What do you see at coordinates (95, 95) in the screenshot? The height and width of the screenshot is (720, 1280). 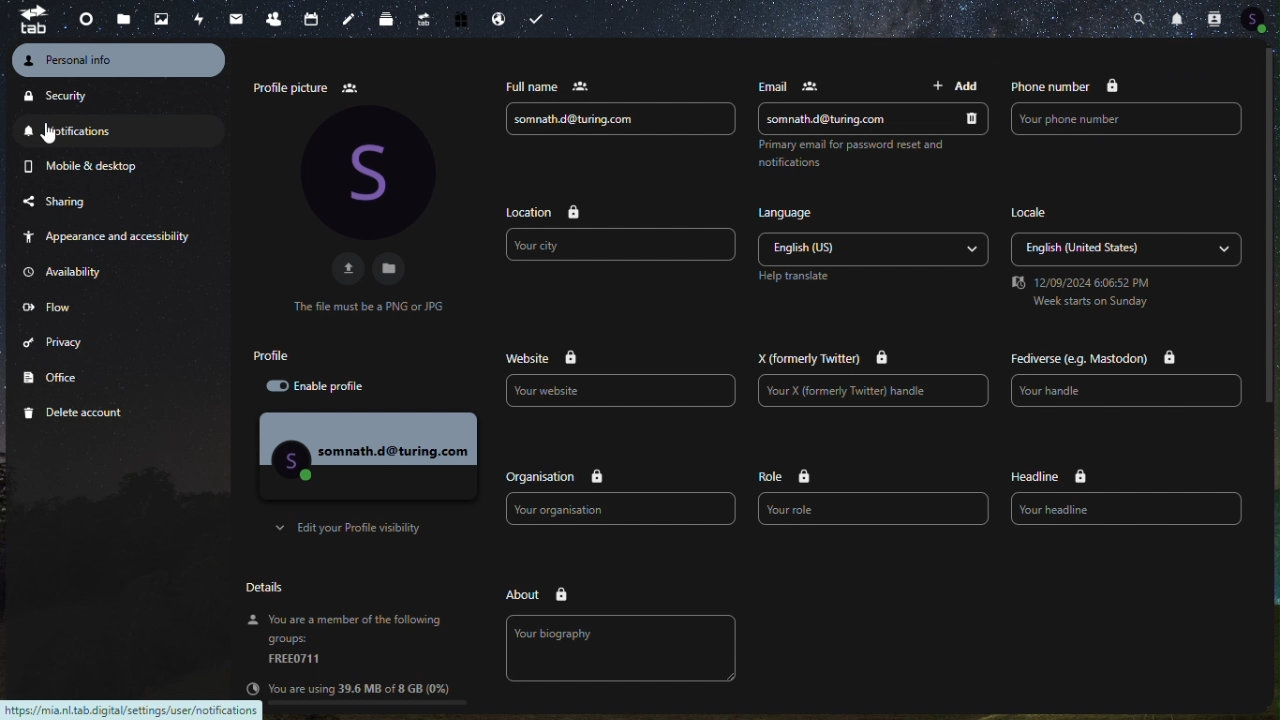 I see `security` at bounding box center [95, 95].